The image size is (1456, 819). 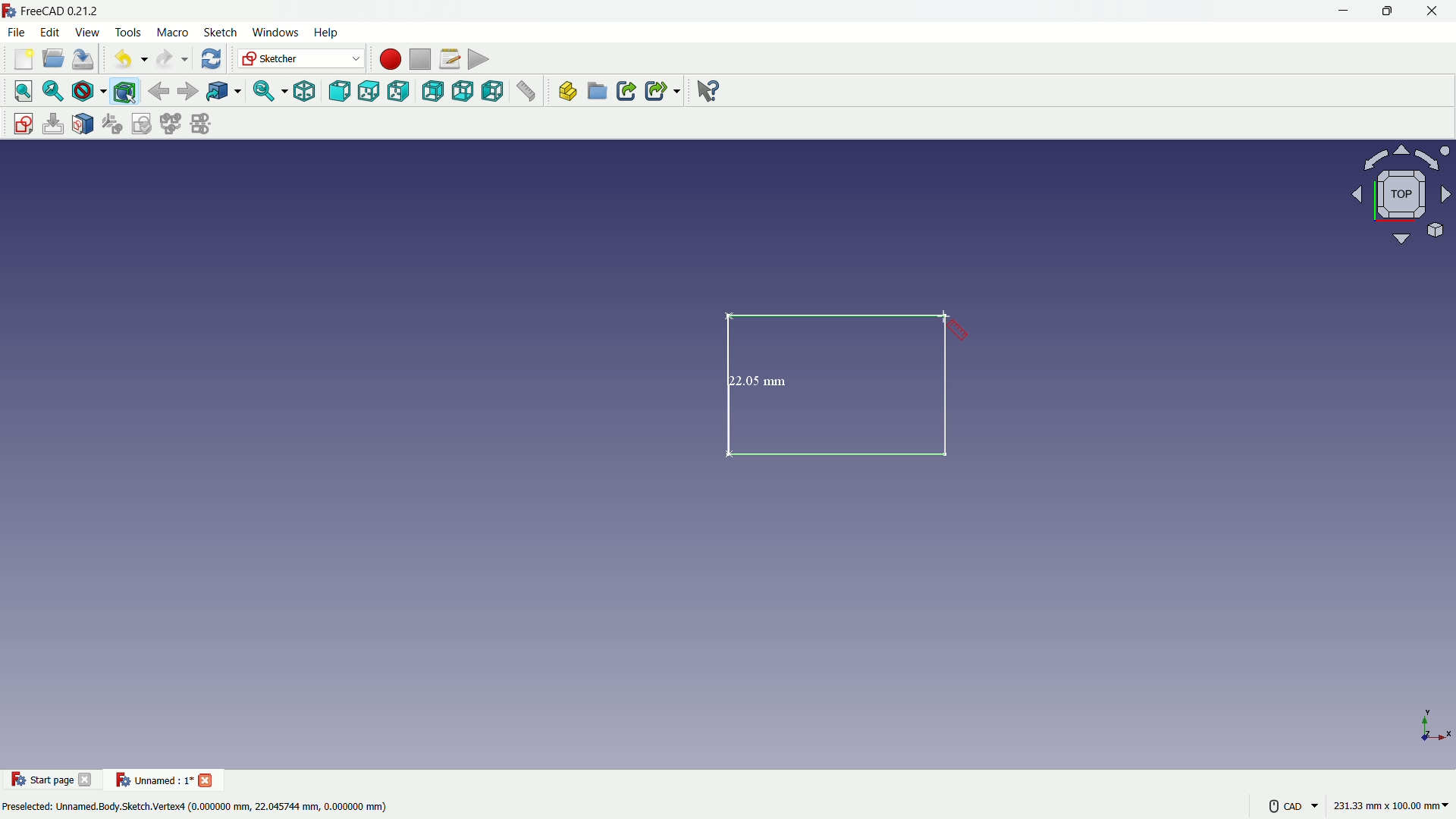 What do you see at coordinates (1389, 11) in the screenshot?
I see `maximize or restore` at bounding box center [1389, 11].